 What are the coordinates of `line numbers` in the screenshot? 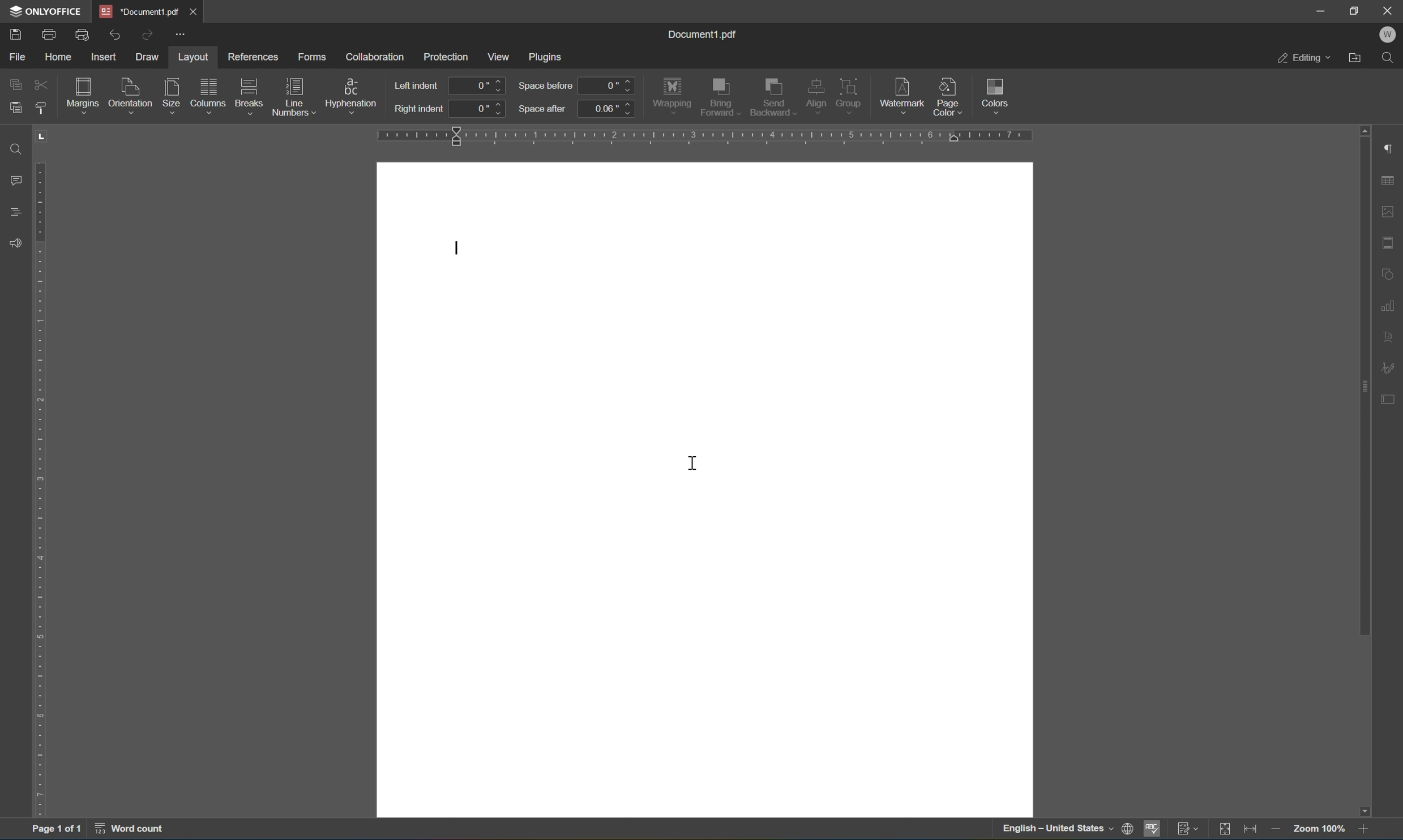 It's located at (294, 97).